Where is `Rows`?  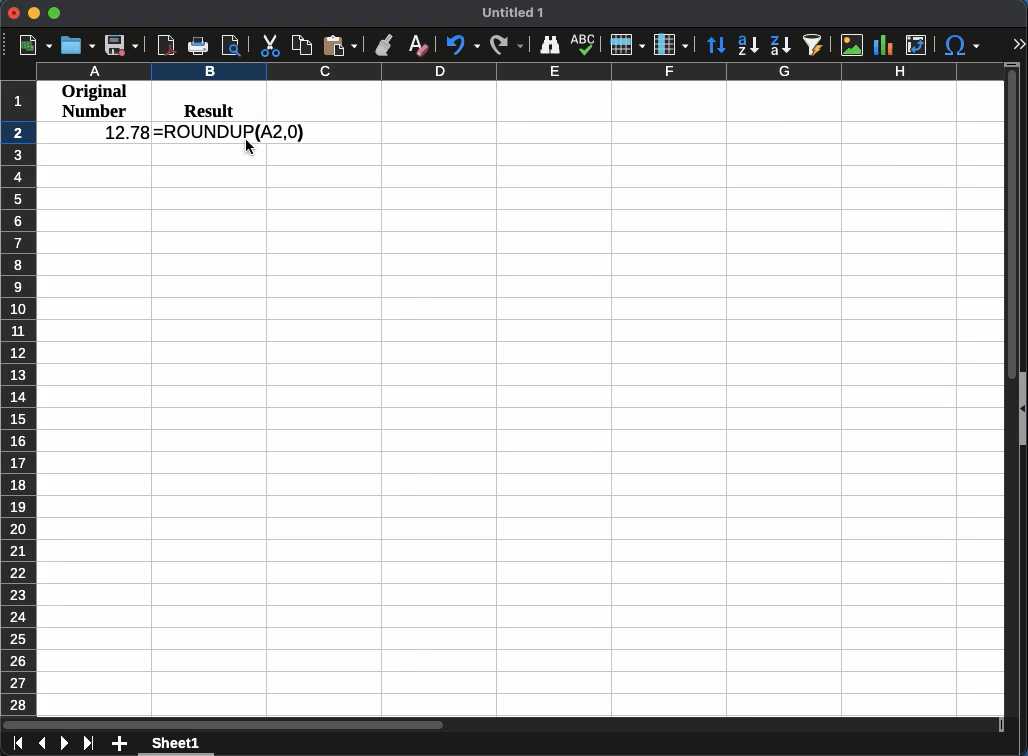
Rows is located at coordinates (627, 44).